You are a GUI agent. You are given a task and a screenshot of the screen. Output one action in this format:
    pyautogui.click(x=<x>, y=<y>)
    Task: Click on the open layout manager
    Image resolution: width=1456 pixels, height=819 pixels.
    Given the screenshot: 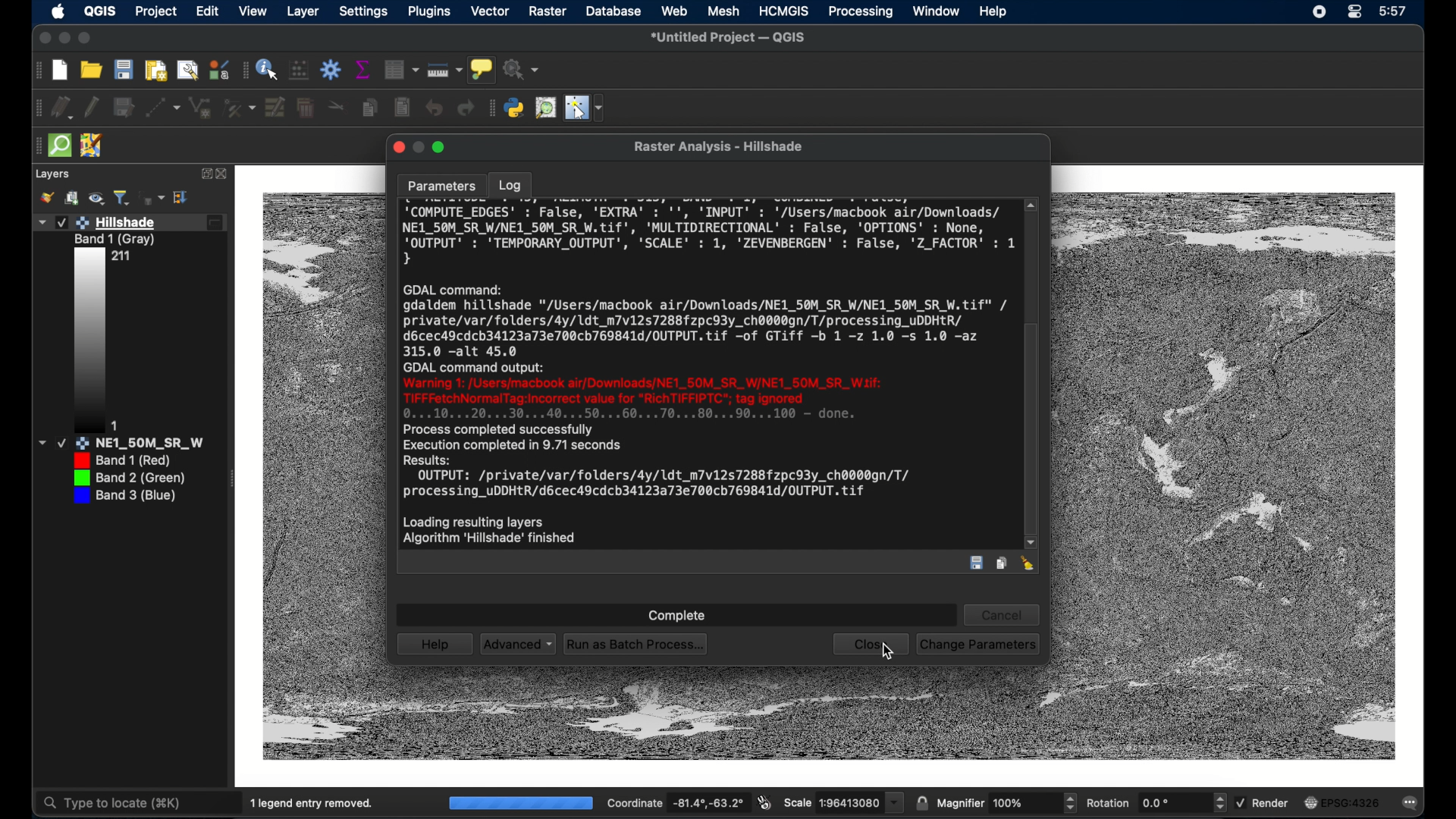 What is the action you would take?
    pyautogui.click(x=188, y=69)
    